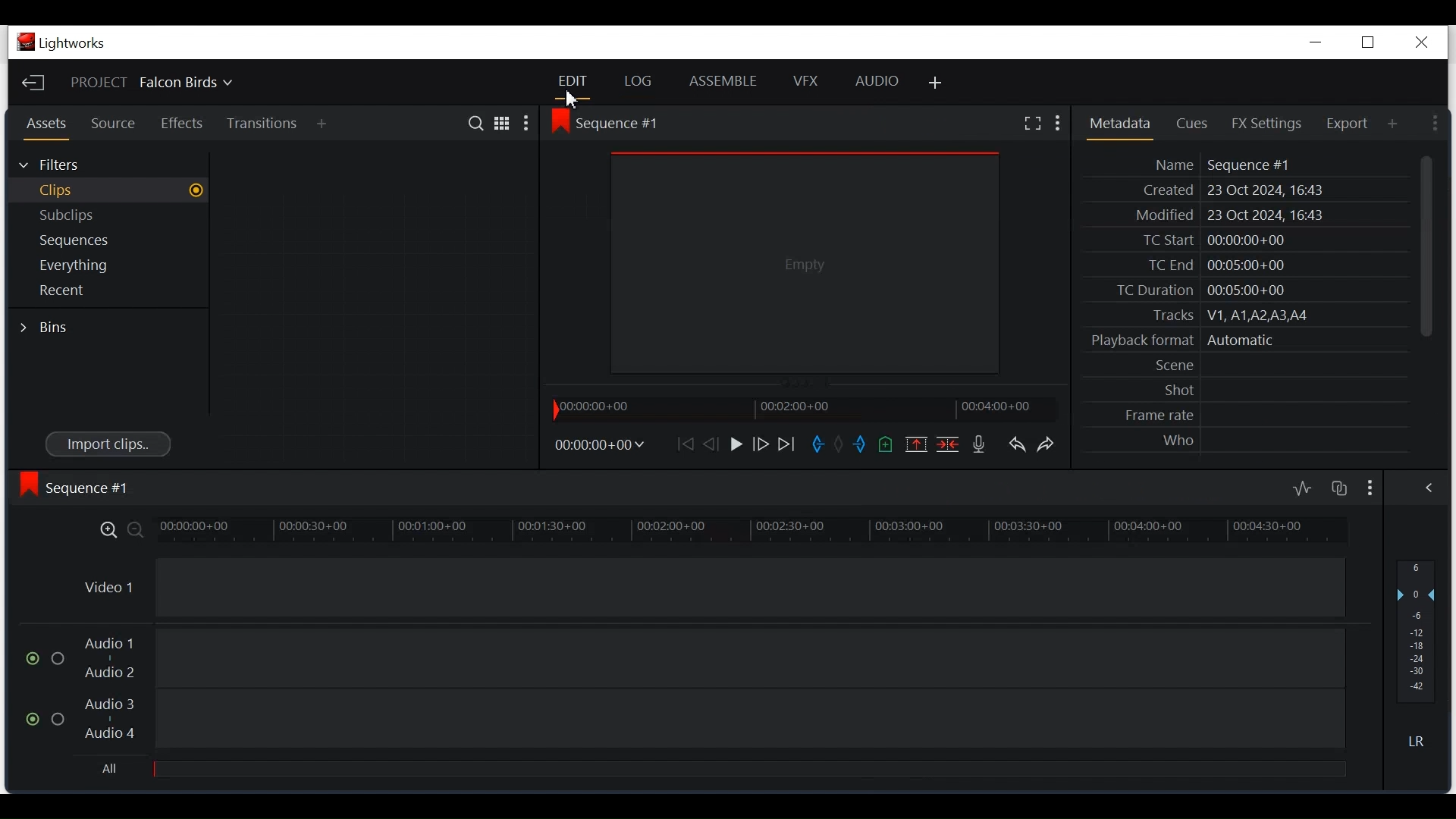 The image size is (1456, 819). Describe the element at coordinates (1348, 124) in the screenshot. I see `Export` at that location.